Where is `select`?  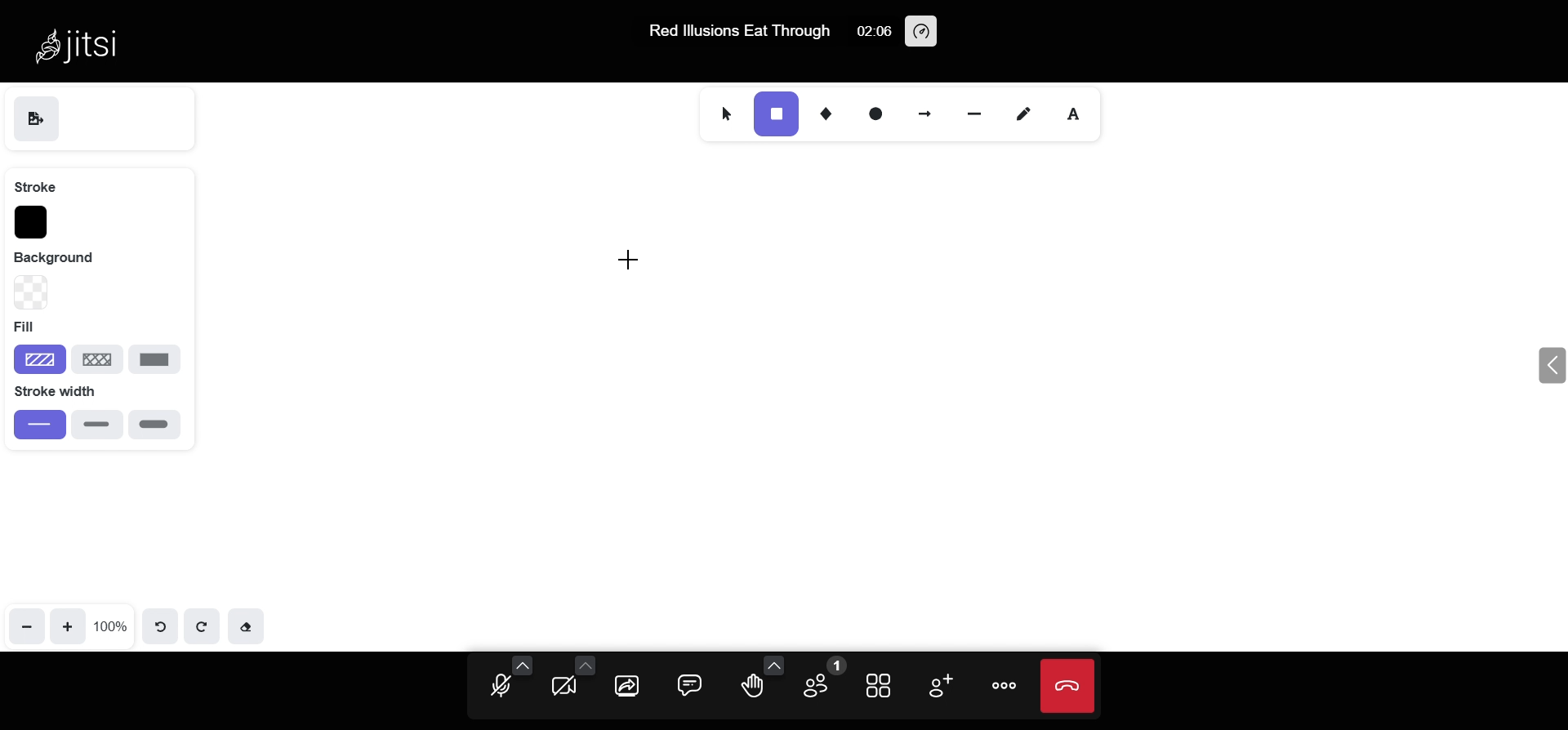 select is located at coordinates (722, 112).